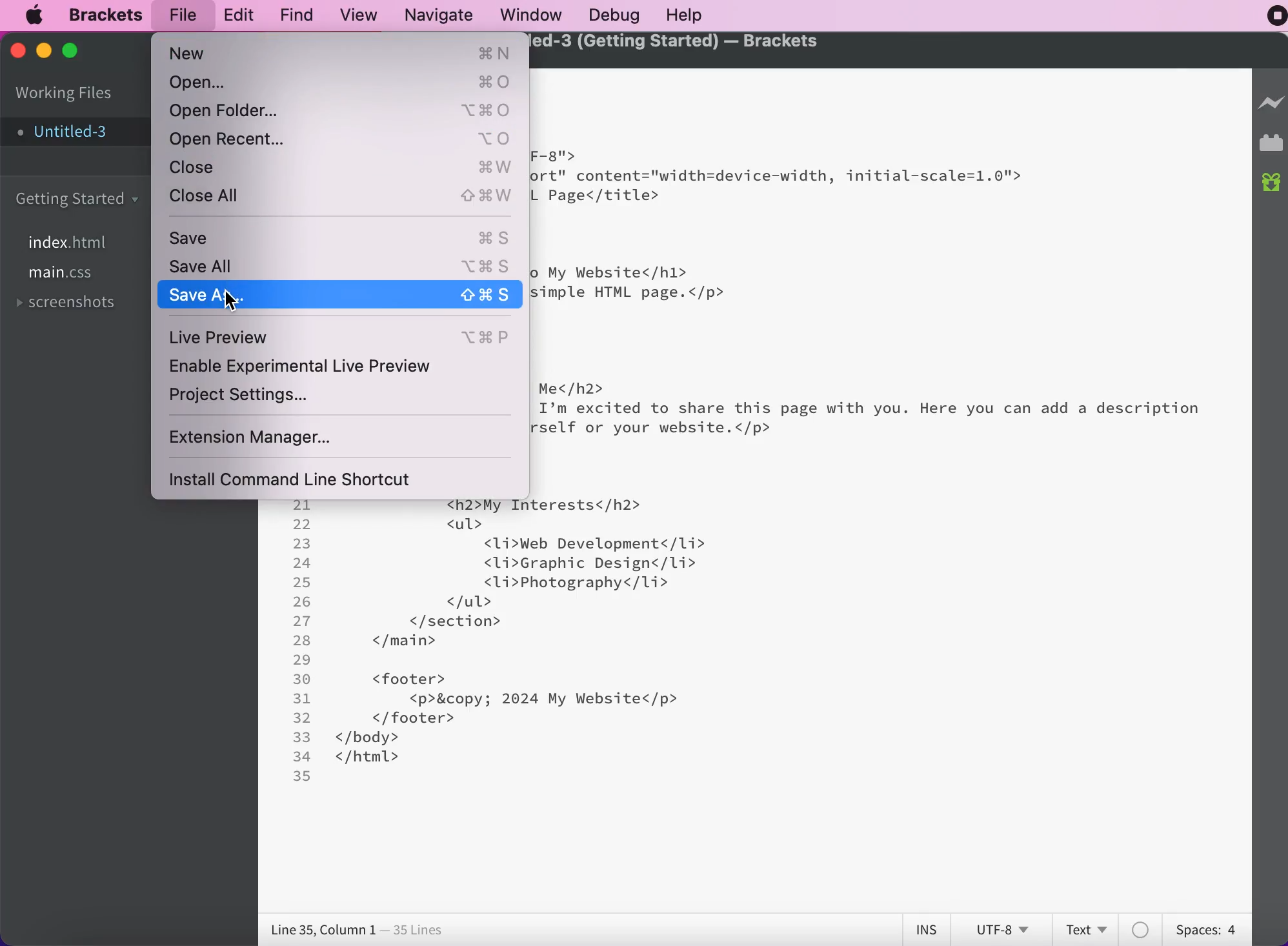 This screenshot has height=946, width=1288. Describe the element at coordinates (257, 398) in the screenshot. I see `project settings` at that location.